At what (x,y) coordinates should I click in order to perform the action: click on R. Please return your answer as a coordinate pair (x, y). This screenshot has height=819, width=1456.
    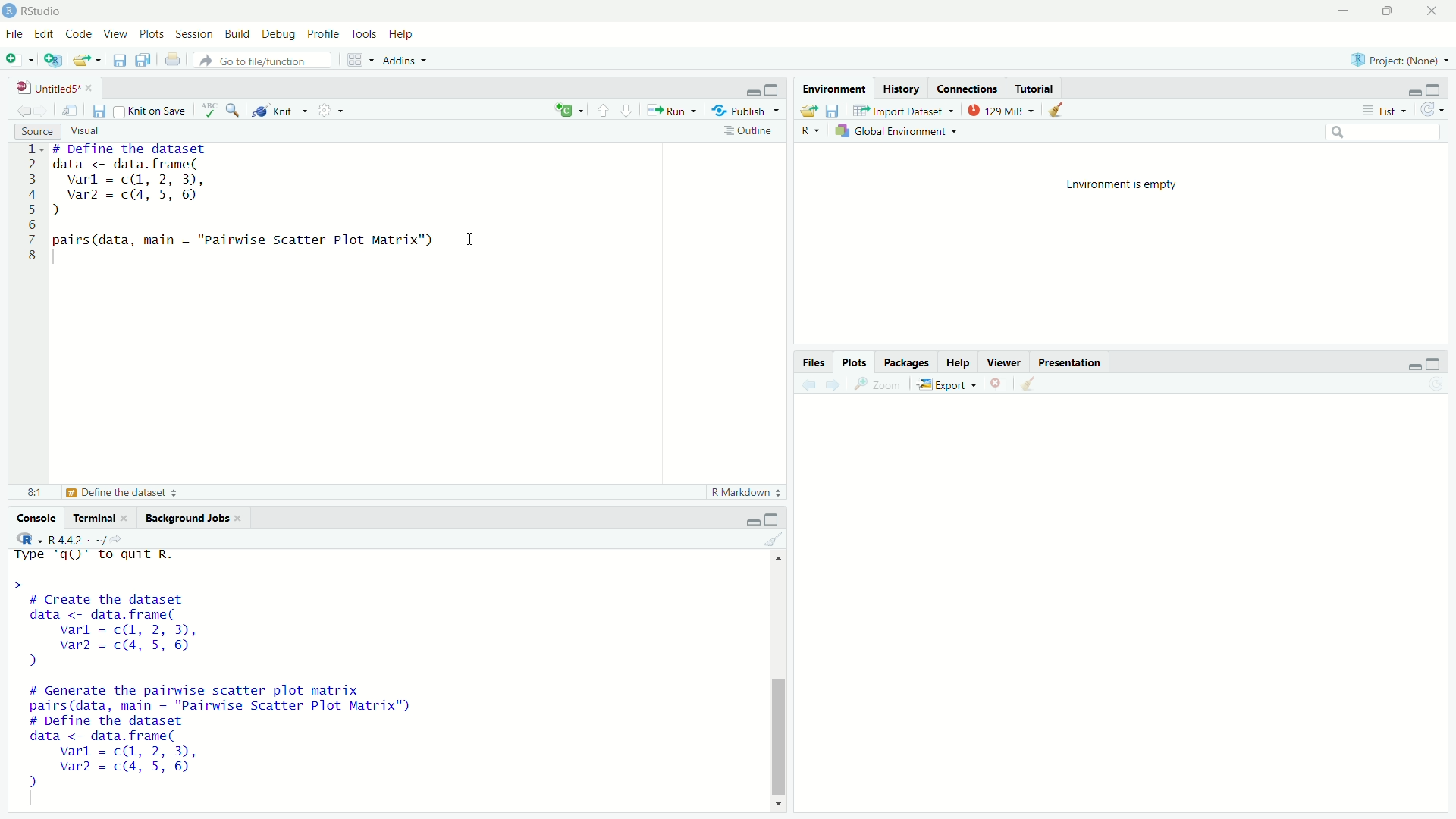
    Looking at the image, I should click on (26, 538).